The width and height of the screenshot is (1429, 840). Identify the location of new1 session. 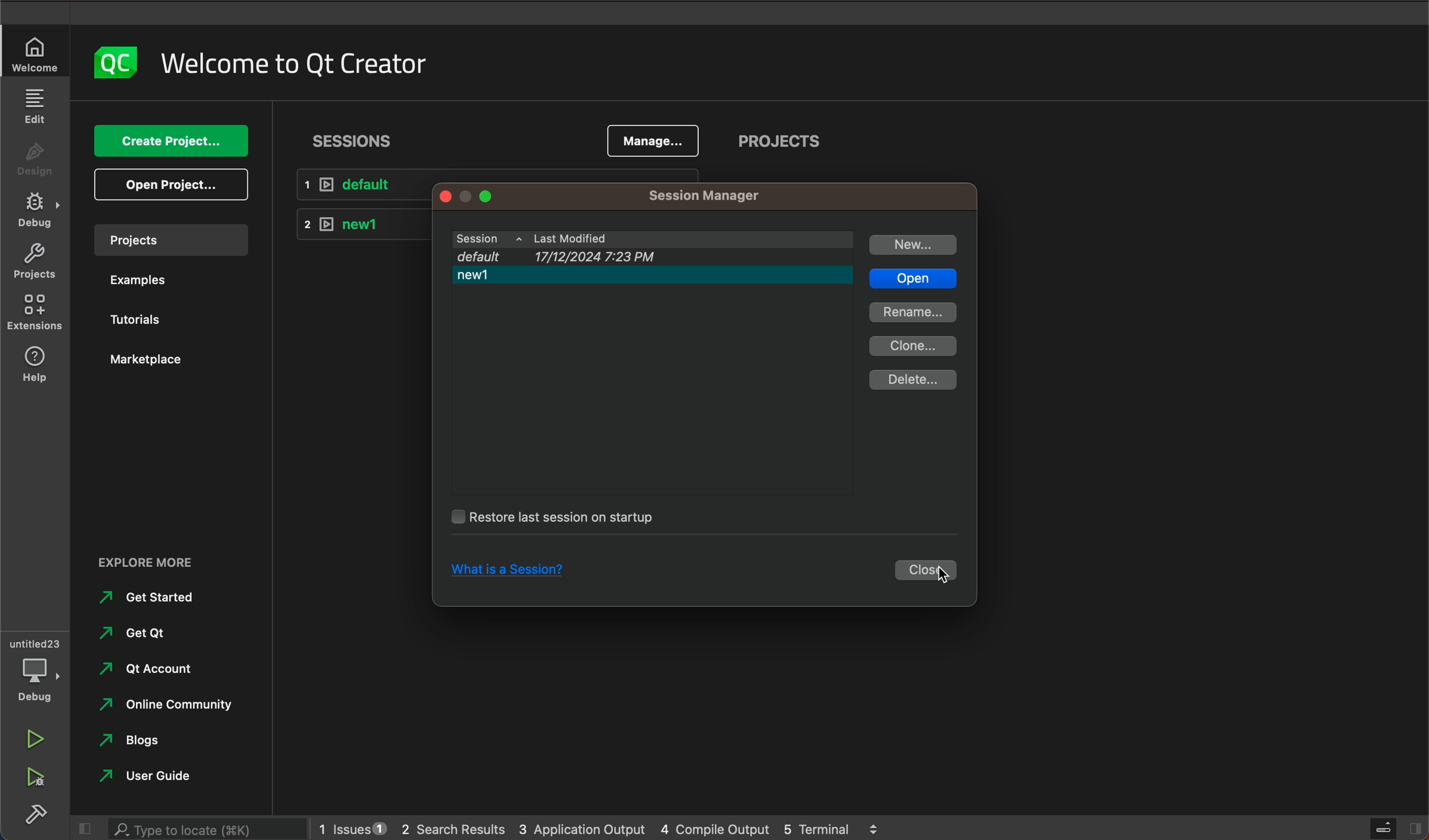
(655, 277).